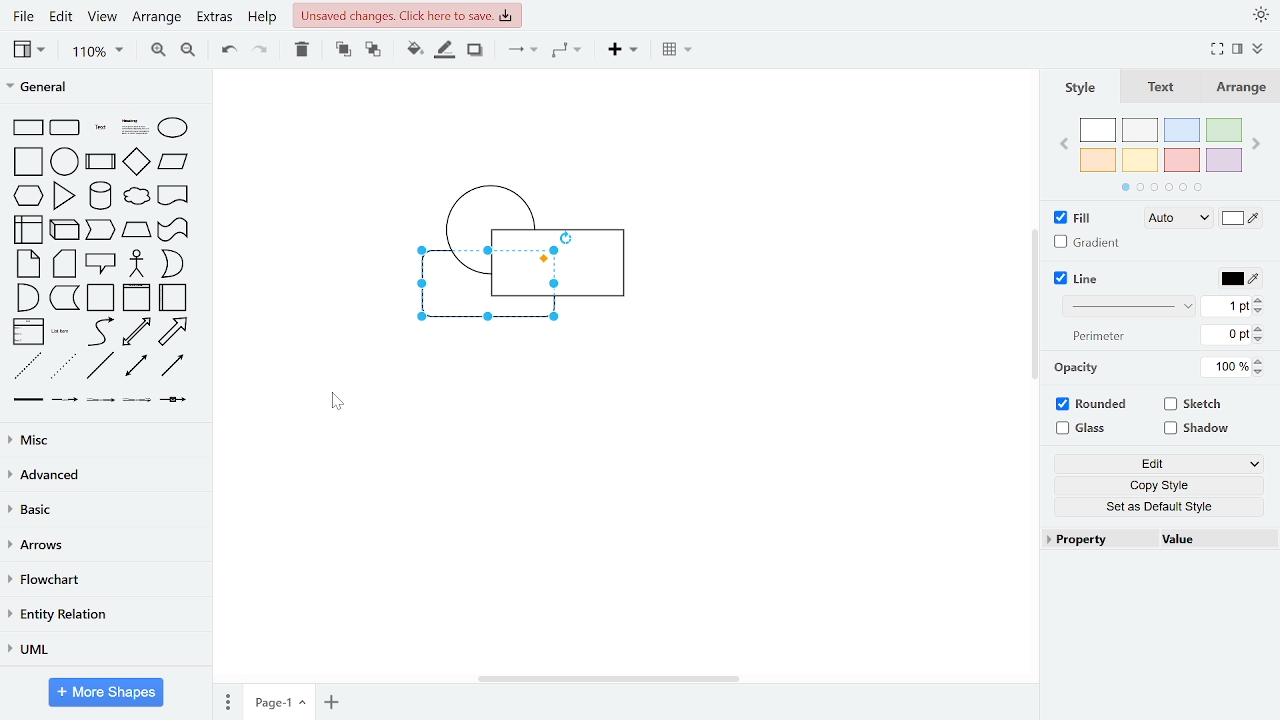 The height and width of the screenshot is (720, 1280). Describe the element at coordinates (1098, 159) in the screenshot. I see `orange` at that location.